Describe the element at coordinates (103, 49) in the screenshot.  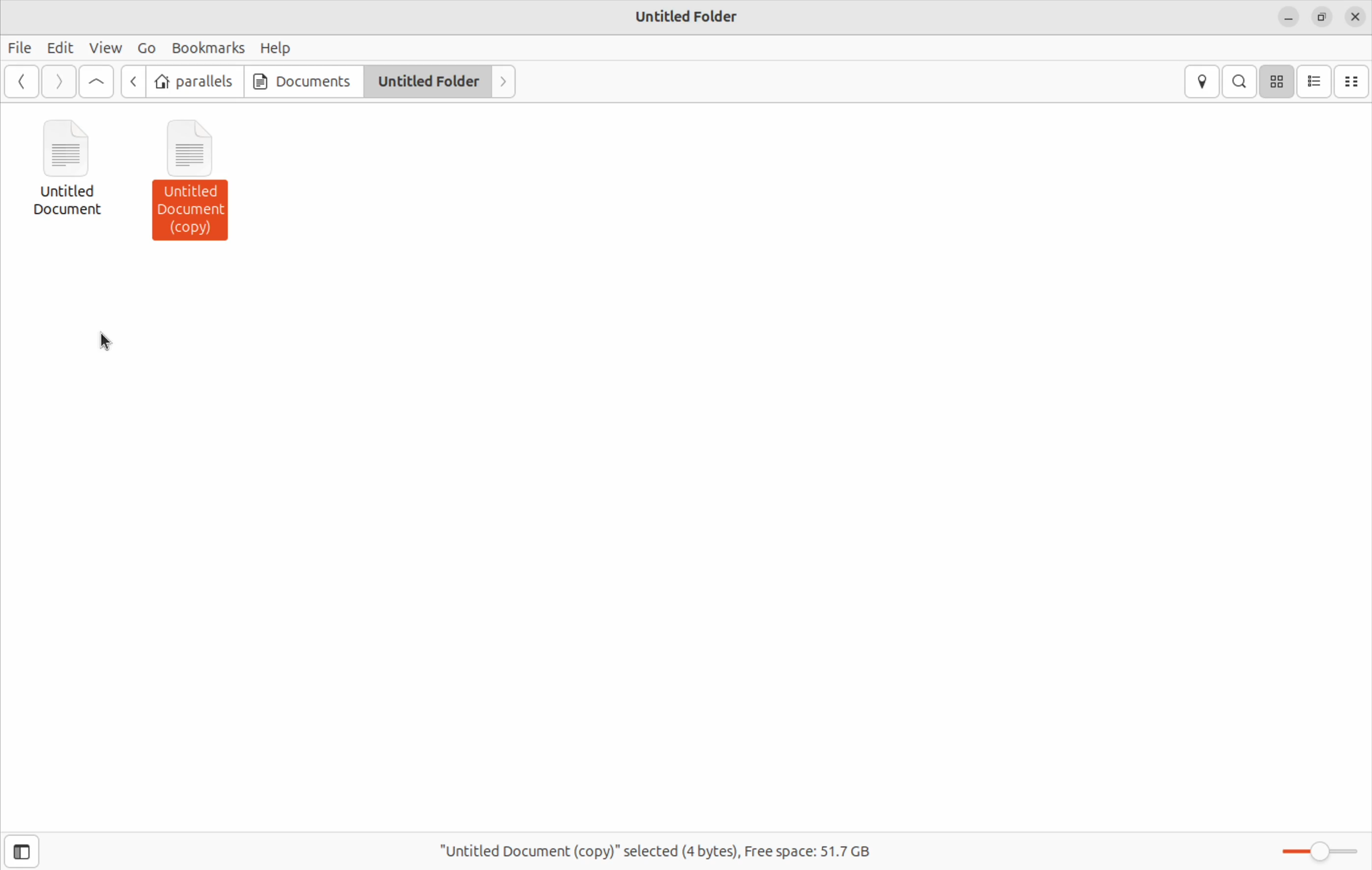
I see `View` at that location.